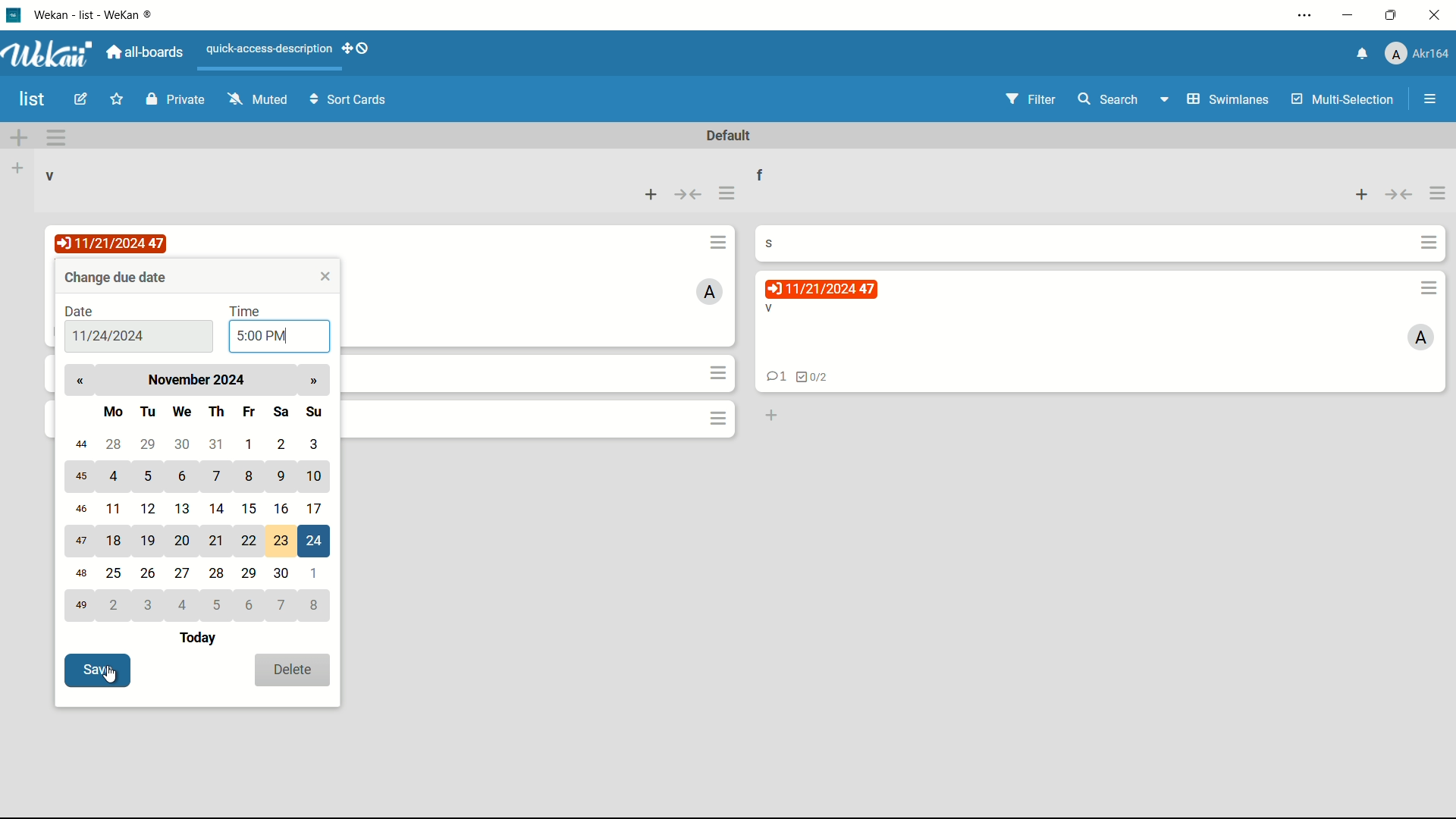  I want to click on 1, so click(317, 573).